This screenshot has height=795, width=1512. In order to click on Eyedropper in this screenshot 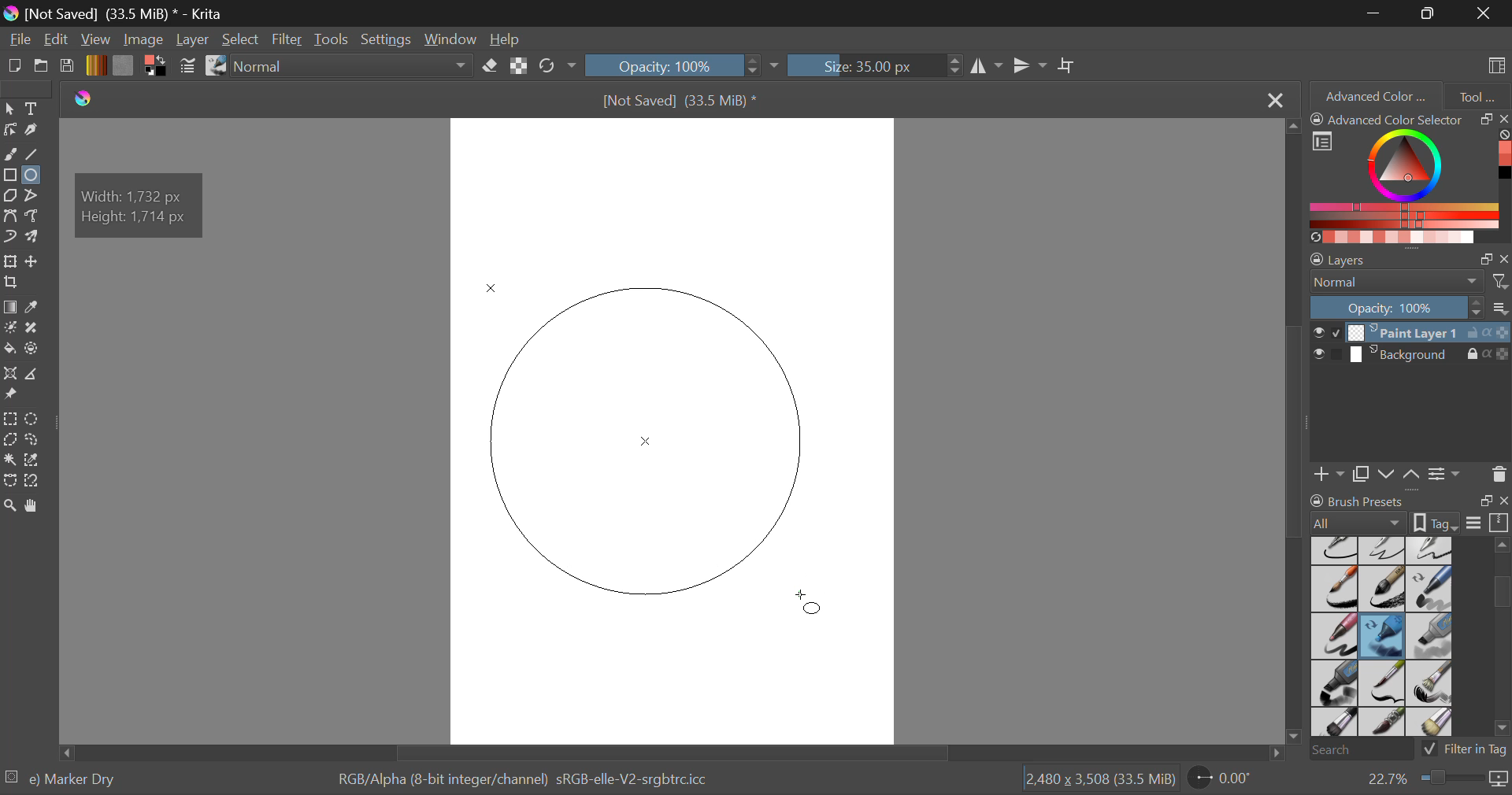, I will do `click(36, 308)`.